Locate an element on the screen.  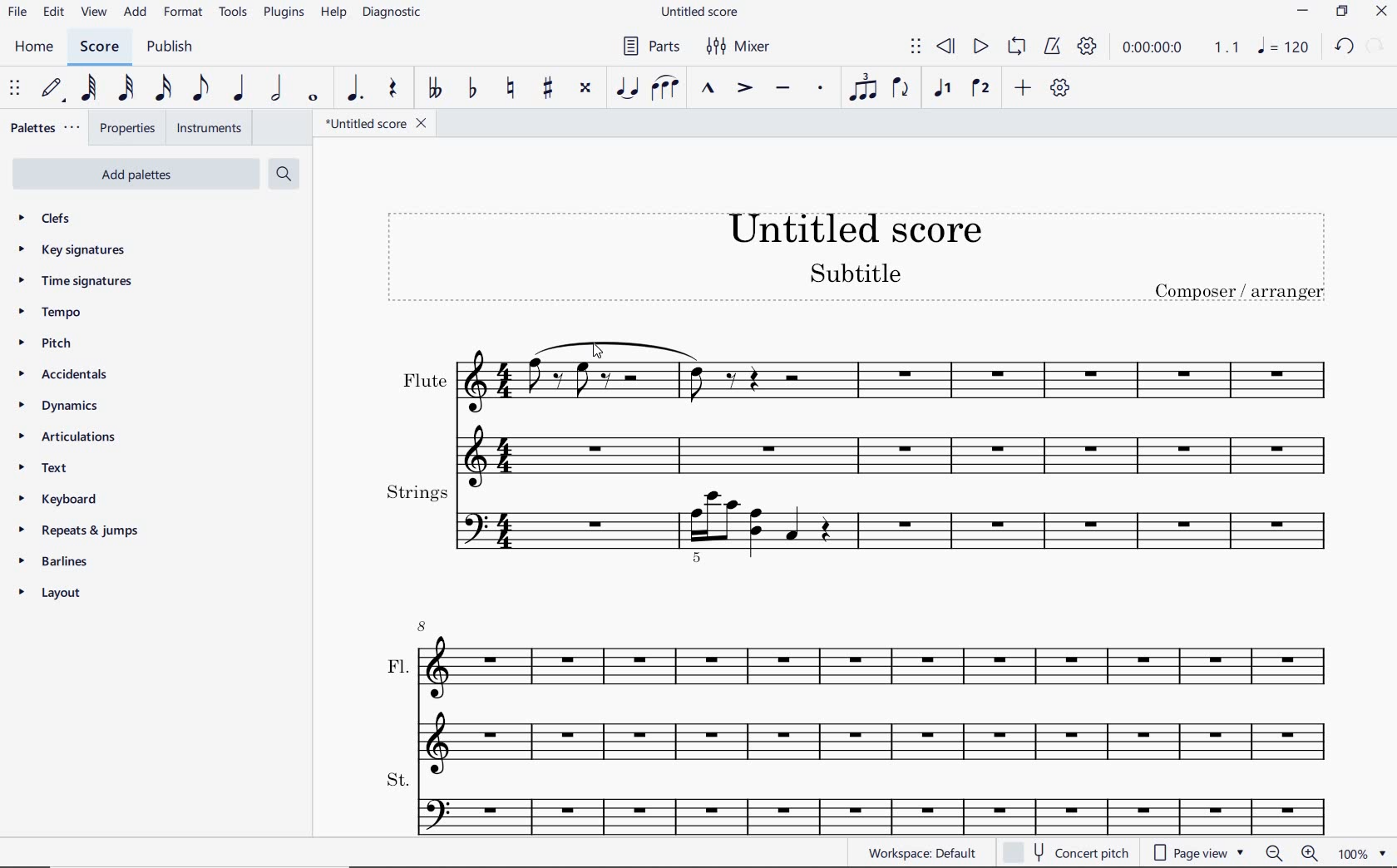
barlines is located at coordinates (62, 562).